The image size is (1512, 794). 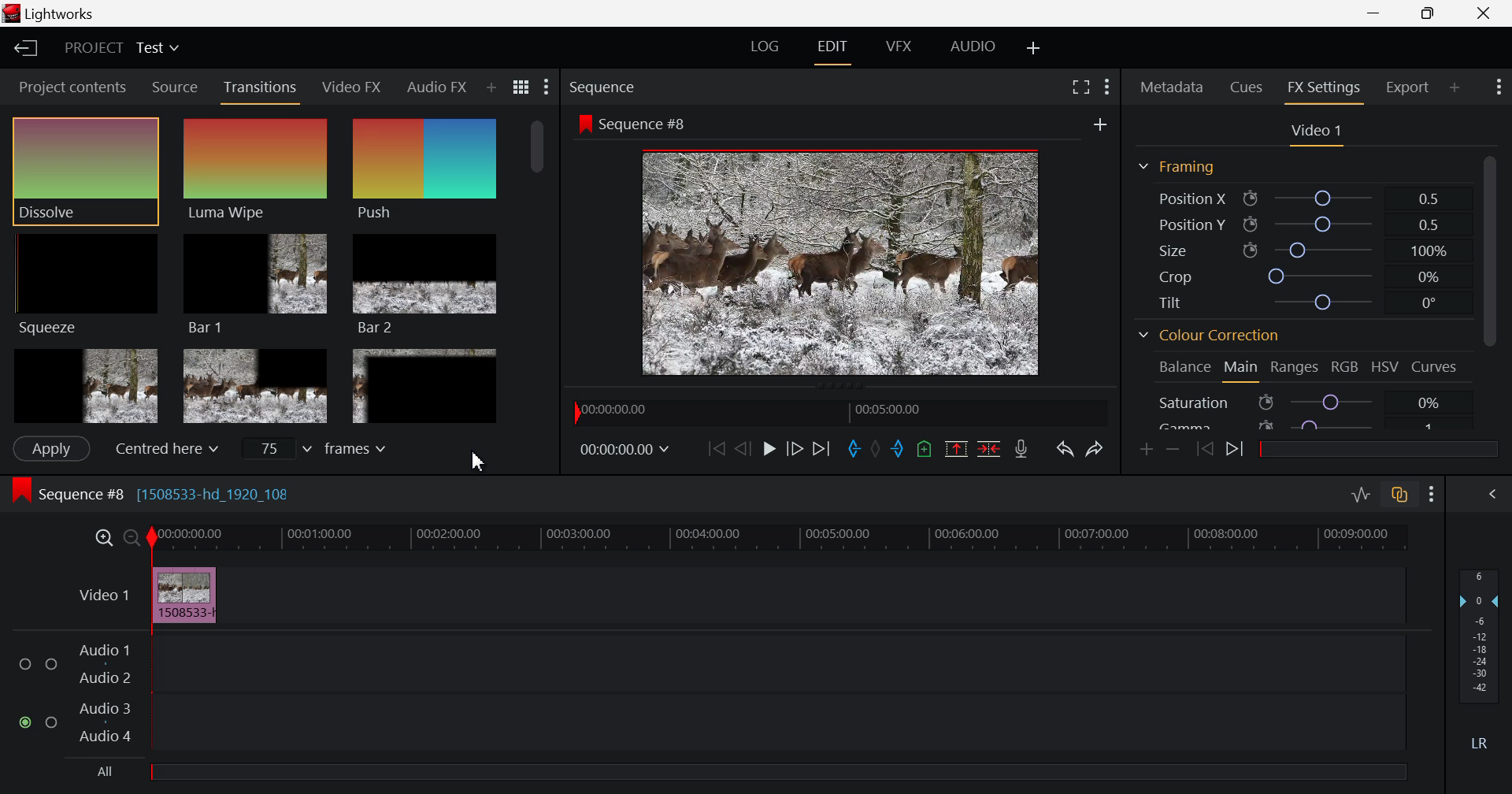 What do you see at coordinates (970, 46) in the screenshot?
I see `AUDIO Layout` at bounding box center [970, 46].